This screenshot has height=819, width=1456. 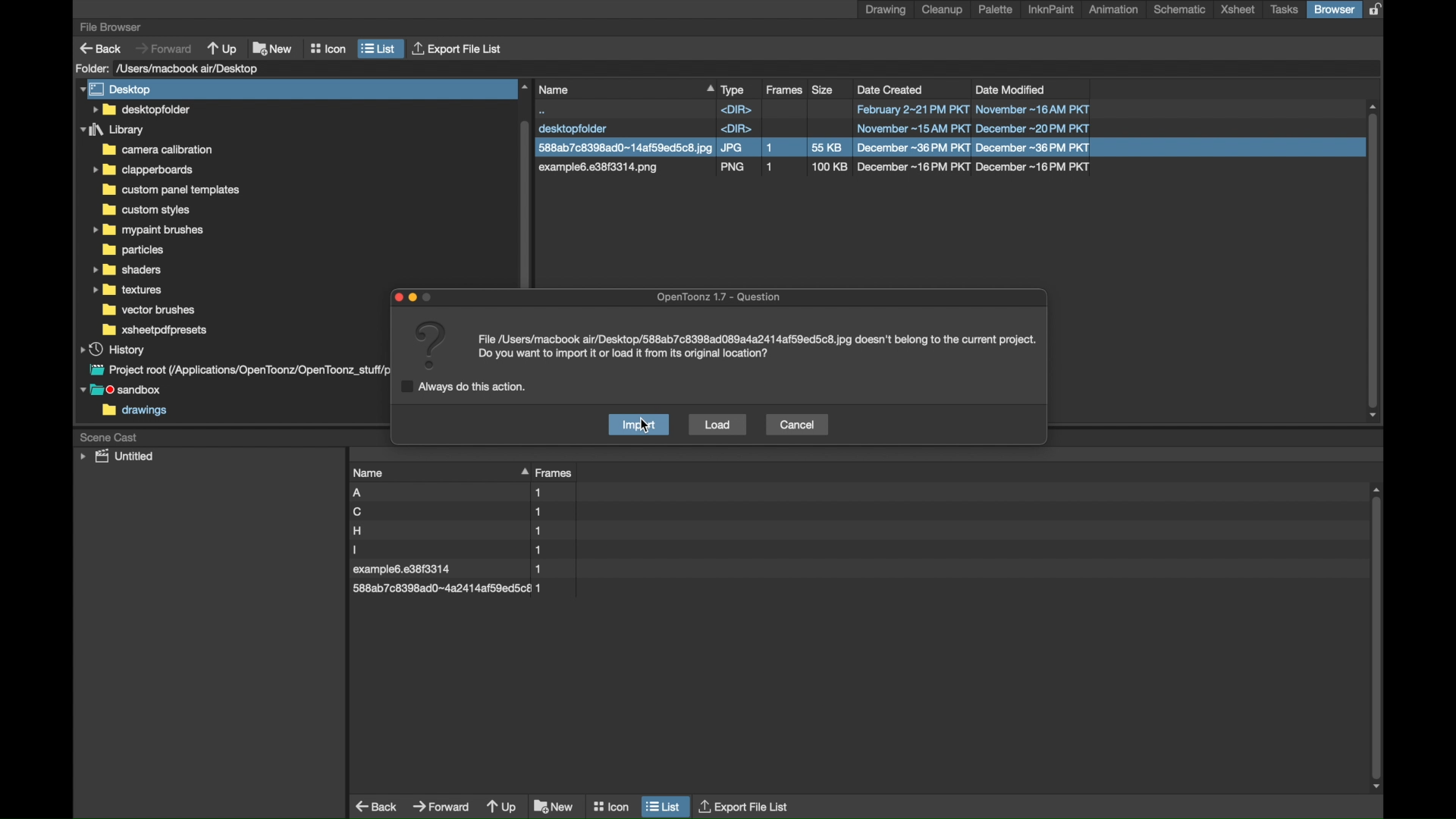 I want to click on date modified, so click(x=1011, y=89).